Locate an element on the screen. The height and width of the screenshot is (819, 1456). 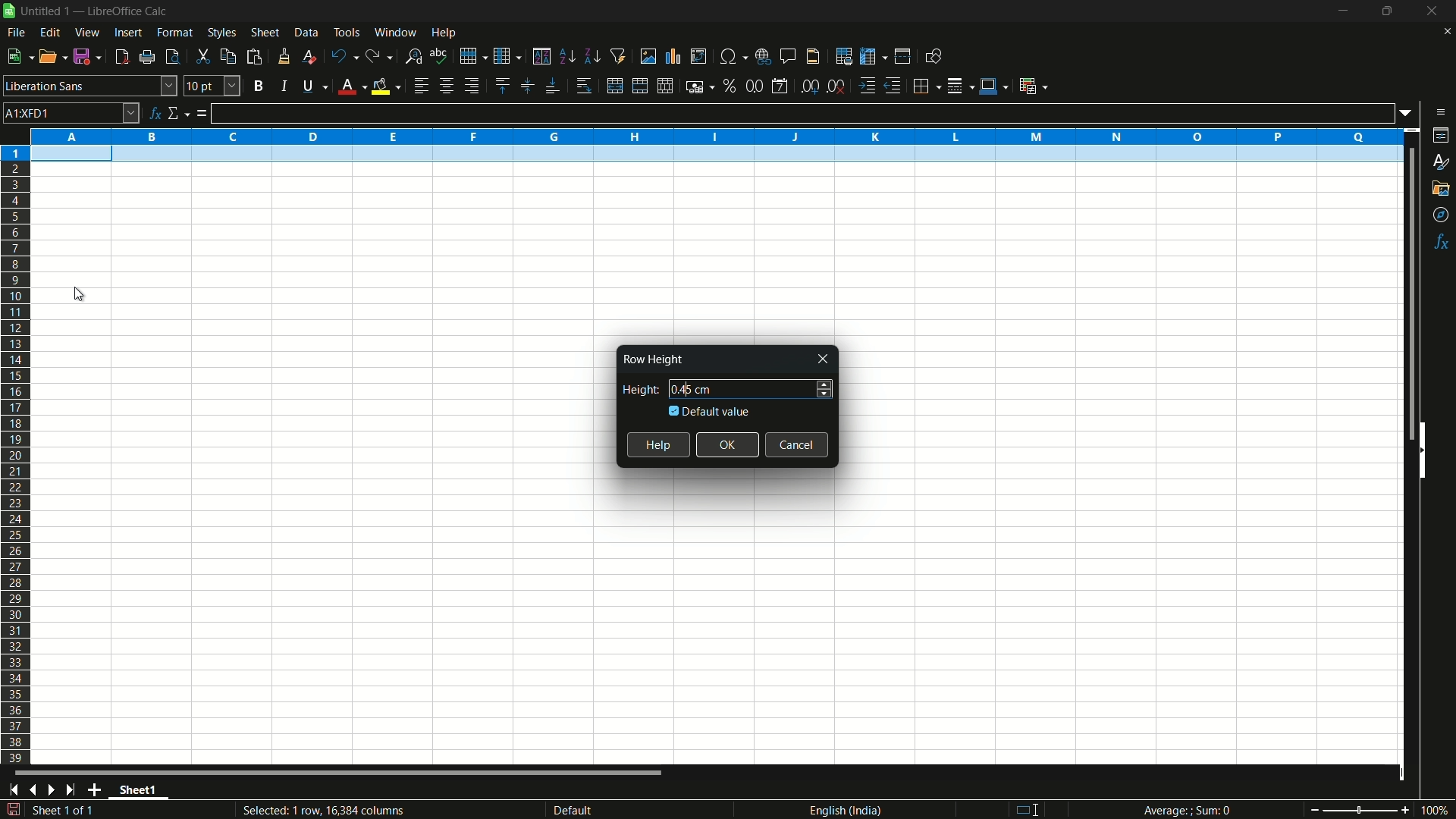
| Untitled 1 — LibreOffice Calc is located at coordinates (92, 10).